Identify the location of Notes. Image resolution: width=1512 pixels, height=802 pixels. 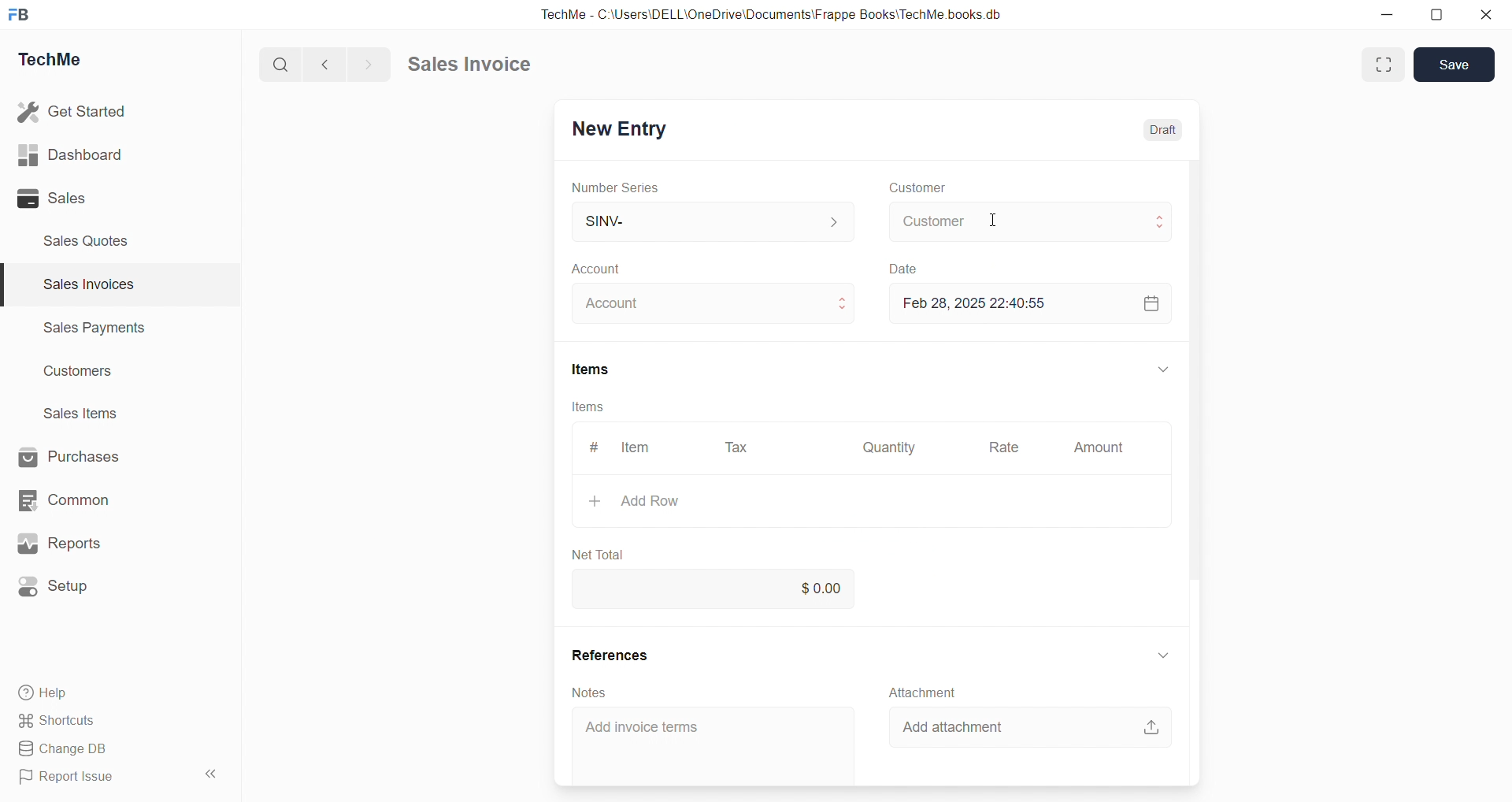
(587, 692).